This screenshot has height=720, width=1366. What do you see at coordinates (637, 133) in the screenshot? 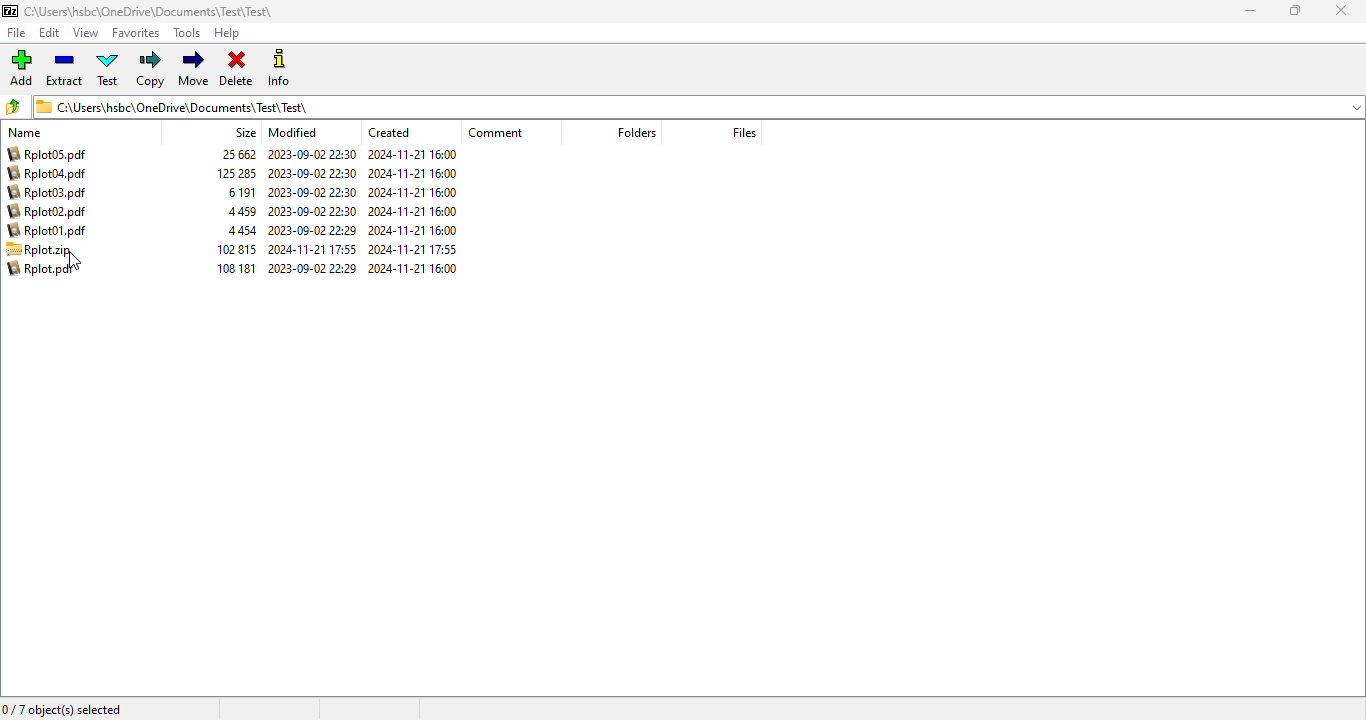
I see `folders` at bounding box center [637, 133].